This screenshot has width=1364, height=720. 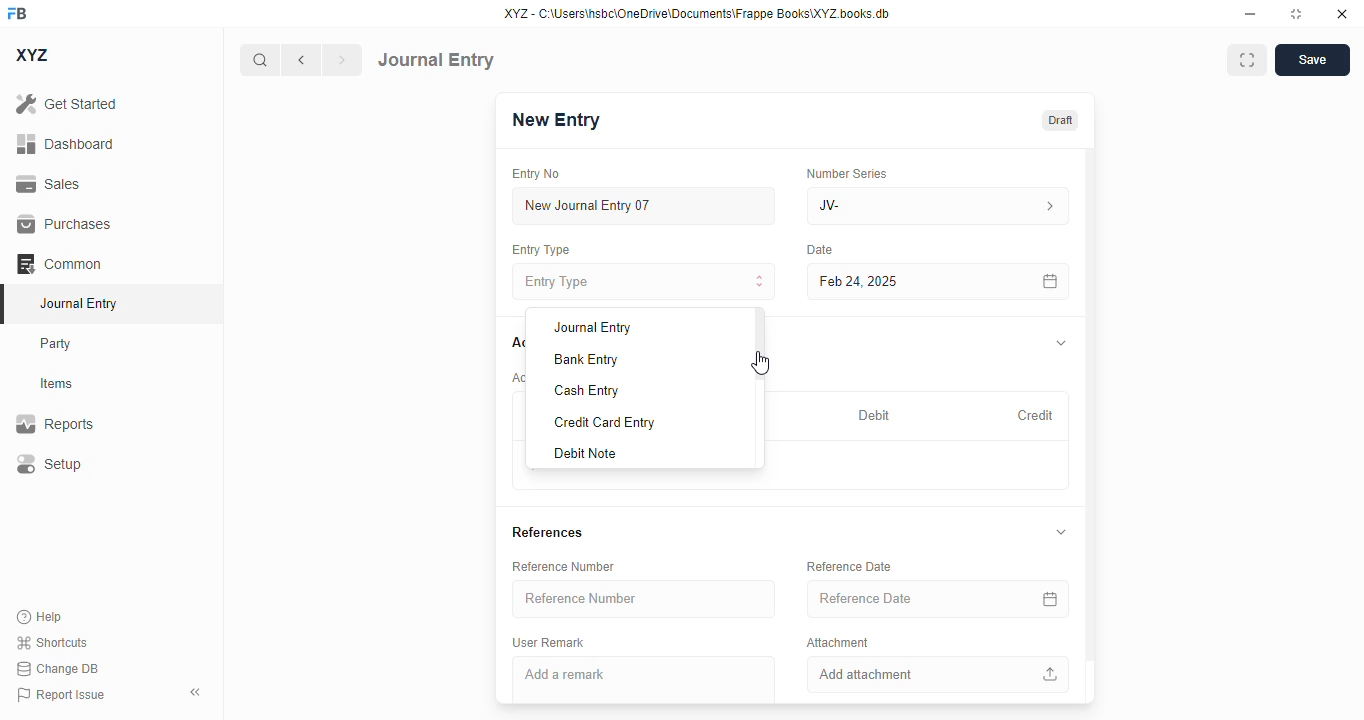 What do you see at coordinates (58, 344) in the screenshot?
I see `party` at bounding box center [58, 344].